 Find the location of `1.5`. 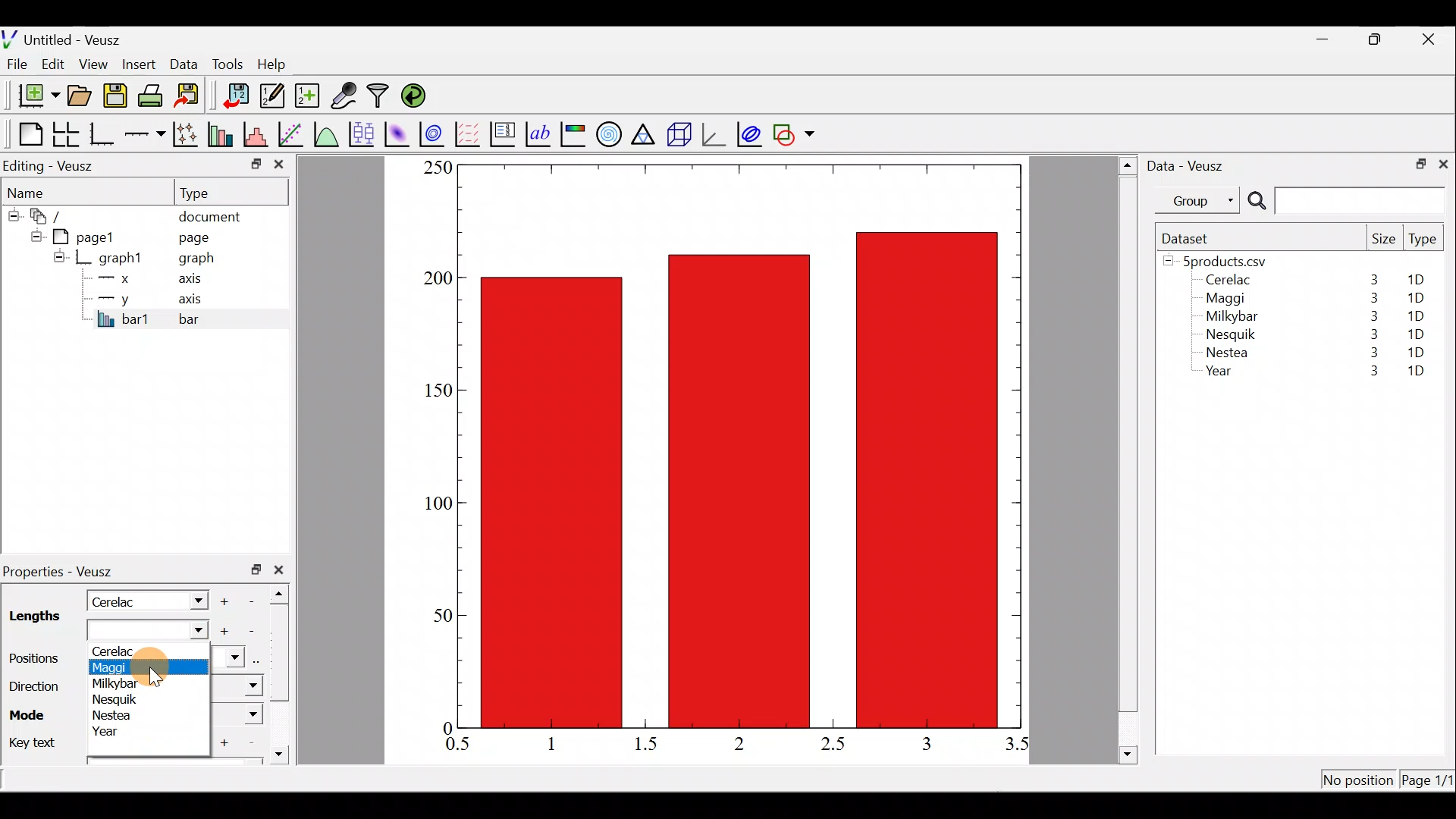

1.5 is located at coordinates (649, 745).